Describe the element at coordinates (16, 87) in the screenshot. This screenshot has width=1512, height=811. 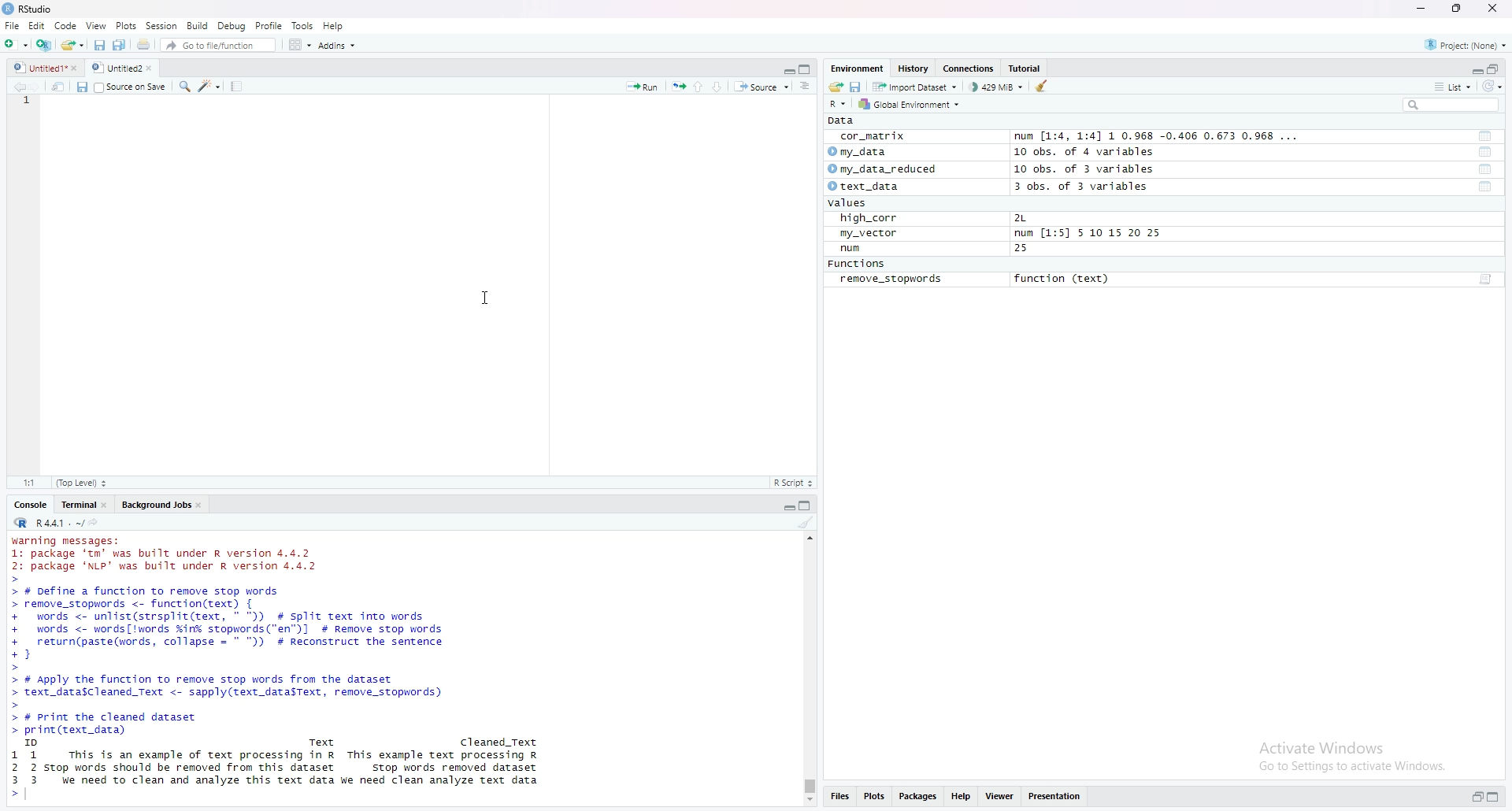
I see `Previous` at that location.